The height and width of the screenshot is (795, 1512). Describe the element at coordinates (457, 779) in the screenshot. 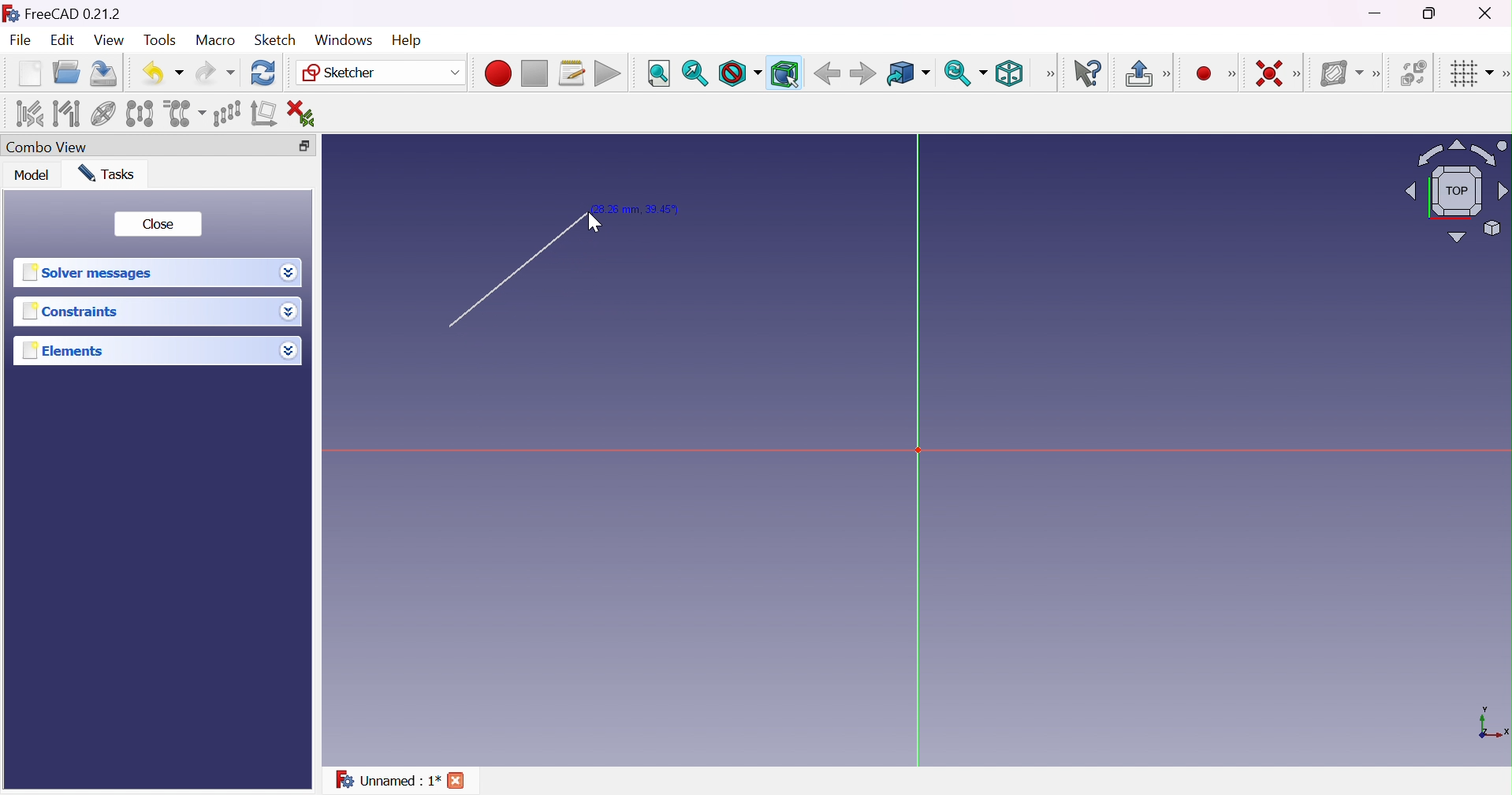

I see `Close` at that location.